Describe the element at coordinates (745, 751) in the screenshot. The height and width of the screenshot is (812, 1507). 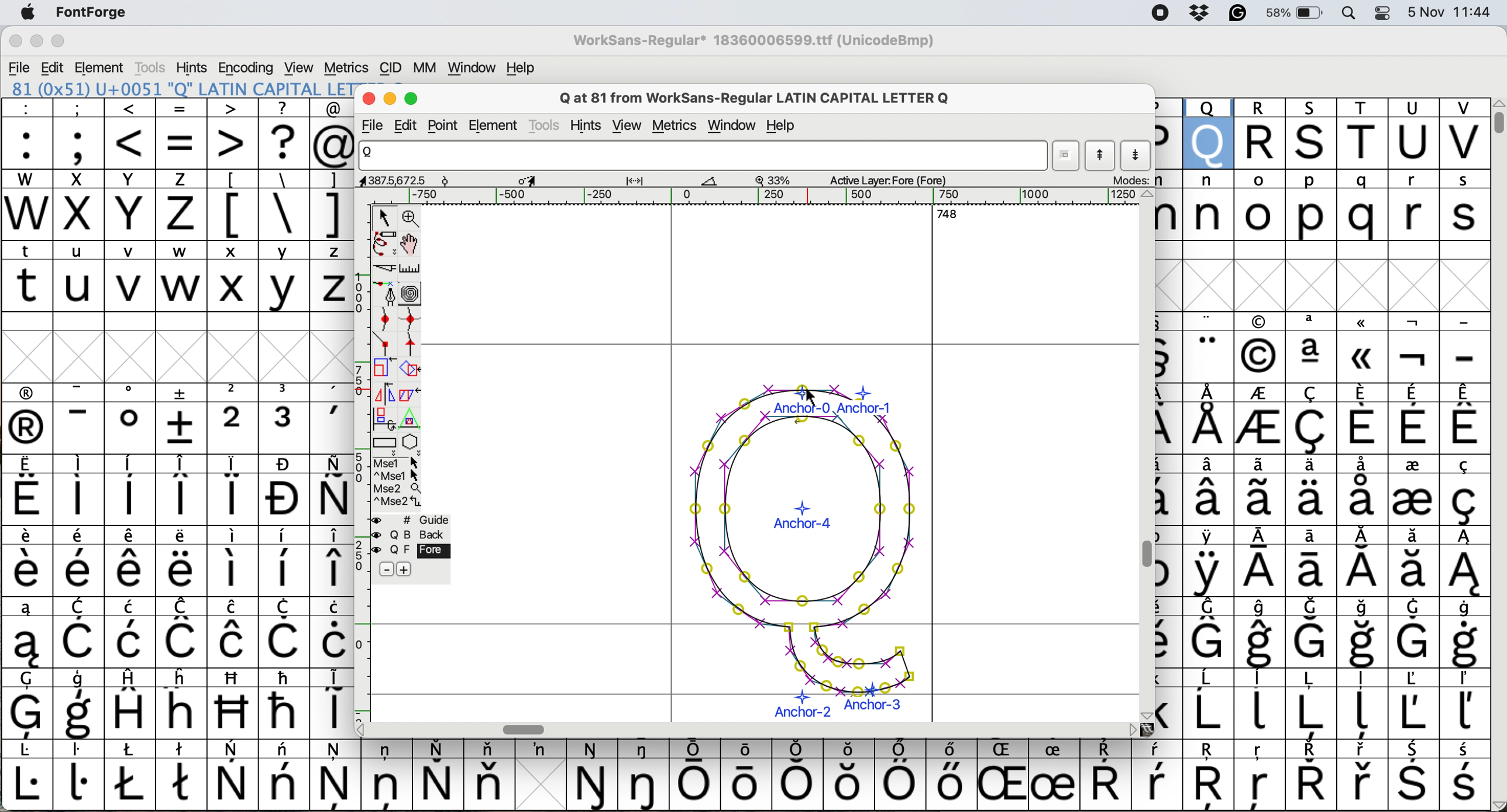
I see `text` at that location.